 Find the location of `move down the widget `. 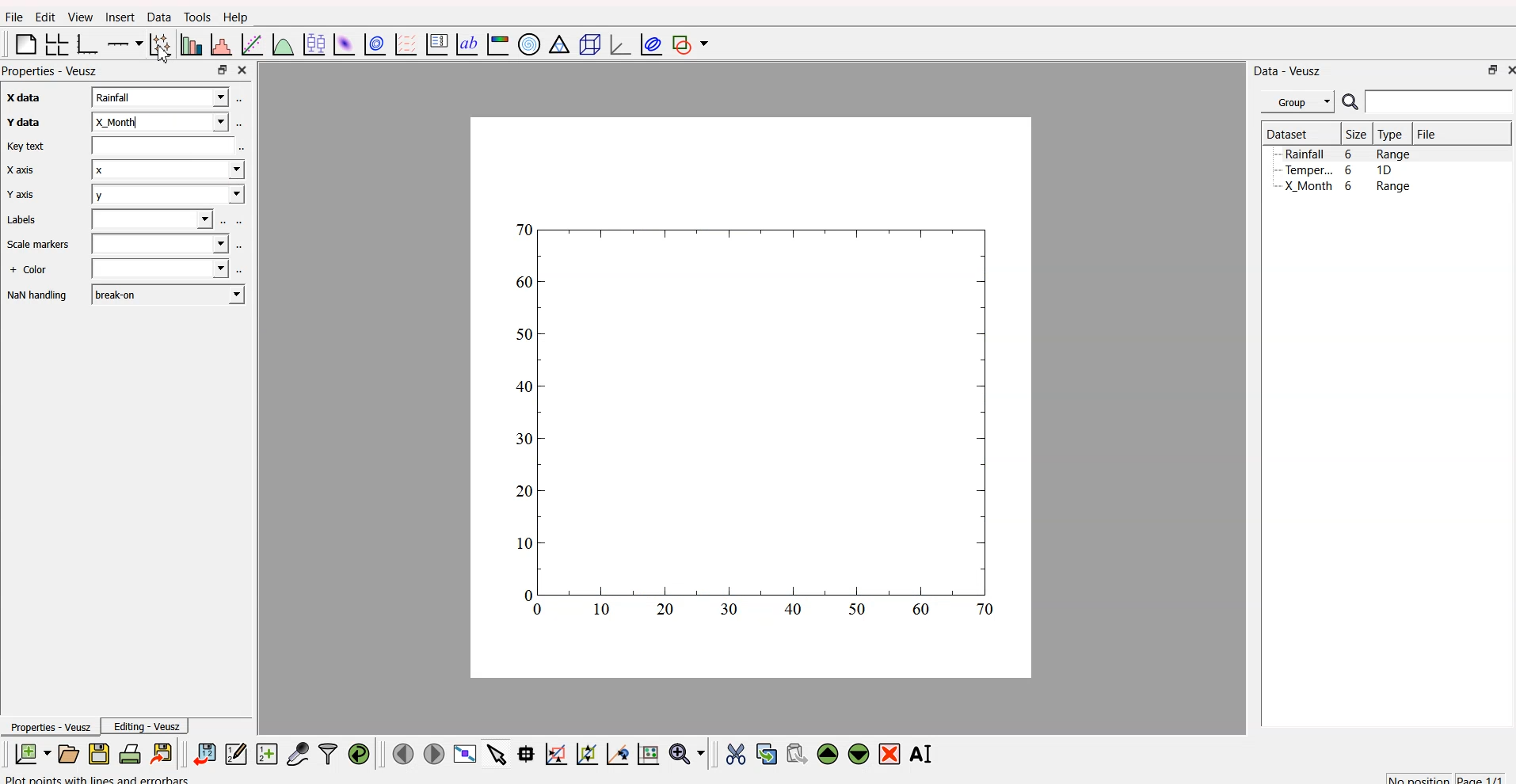

move down the widget  is located at coordinates (856, 755).